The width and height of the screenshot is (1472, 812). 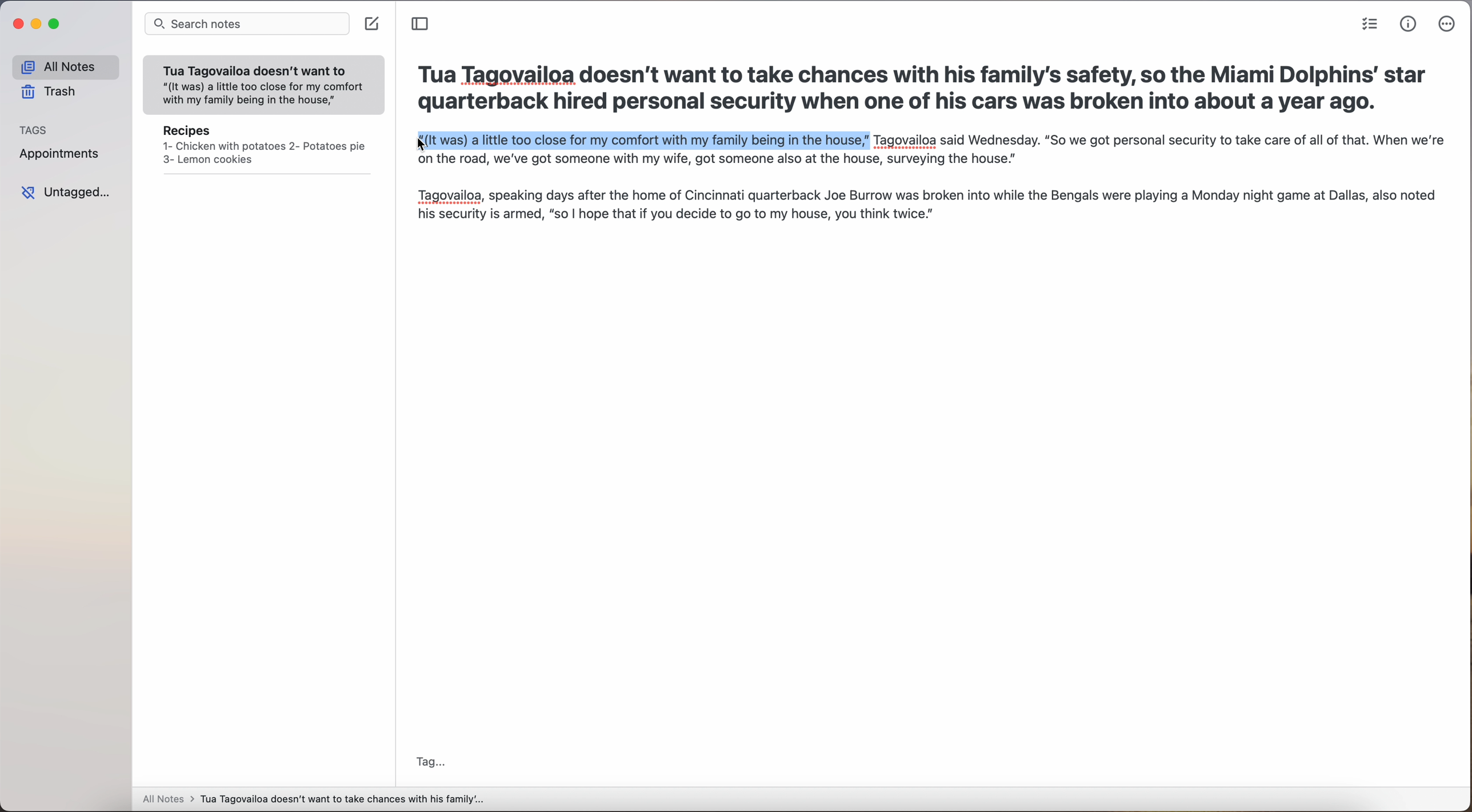 What do you see at coordinates (1158, 142) in the screenshot?
I see `body text Tua Tagovailoa` at bounding box center [1158, 142].